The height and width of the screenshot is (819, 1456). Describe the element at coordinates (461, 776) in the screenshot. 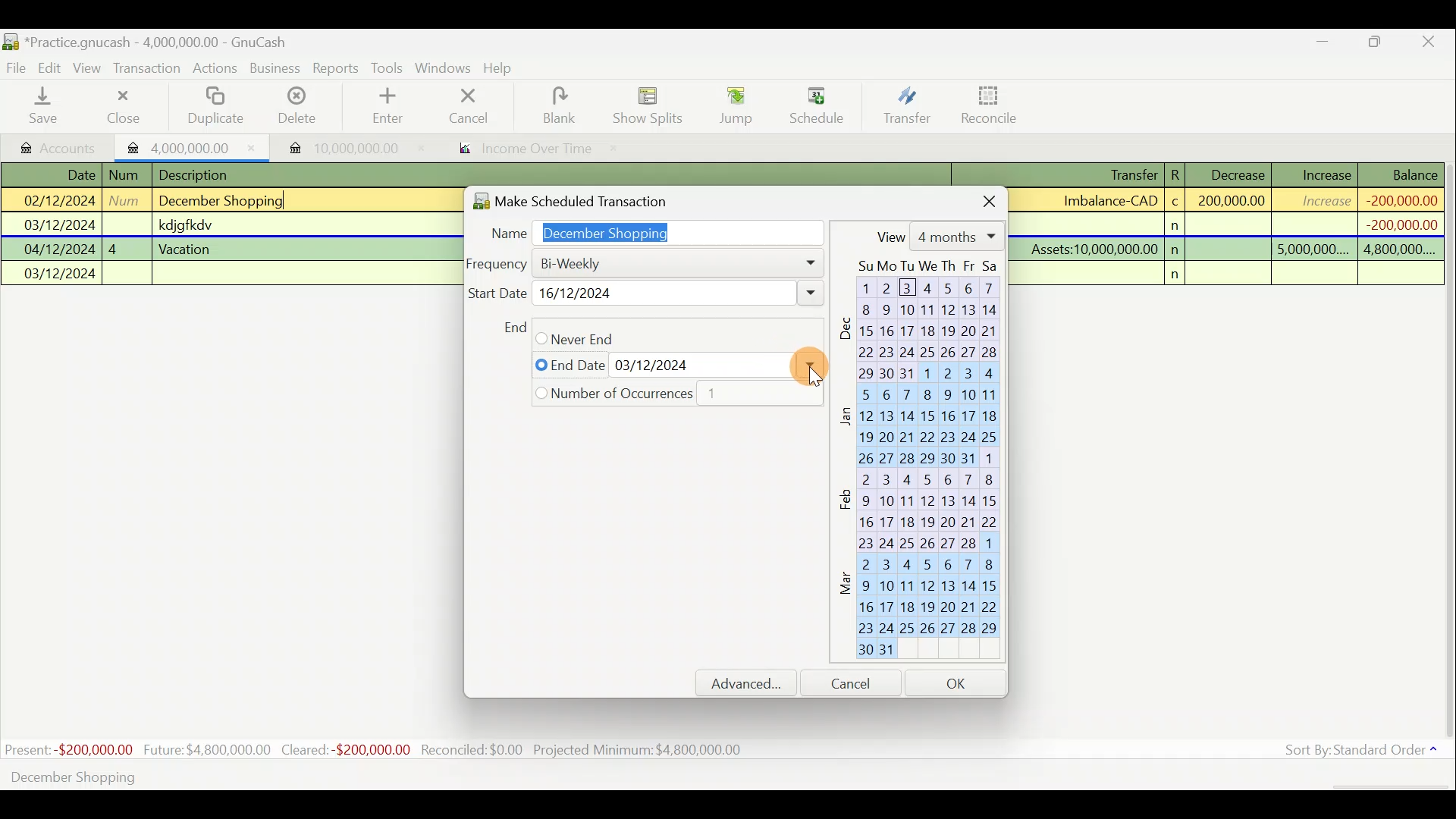

I see `Create a scheduled transaction` at that location.